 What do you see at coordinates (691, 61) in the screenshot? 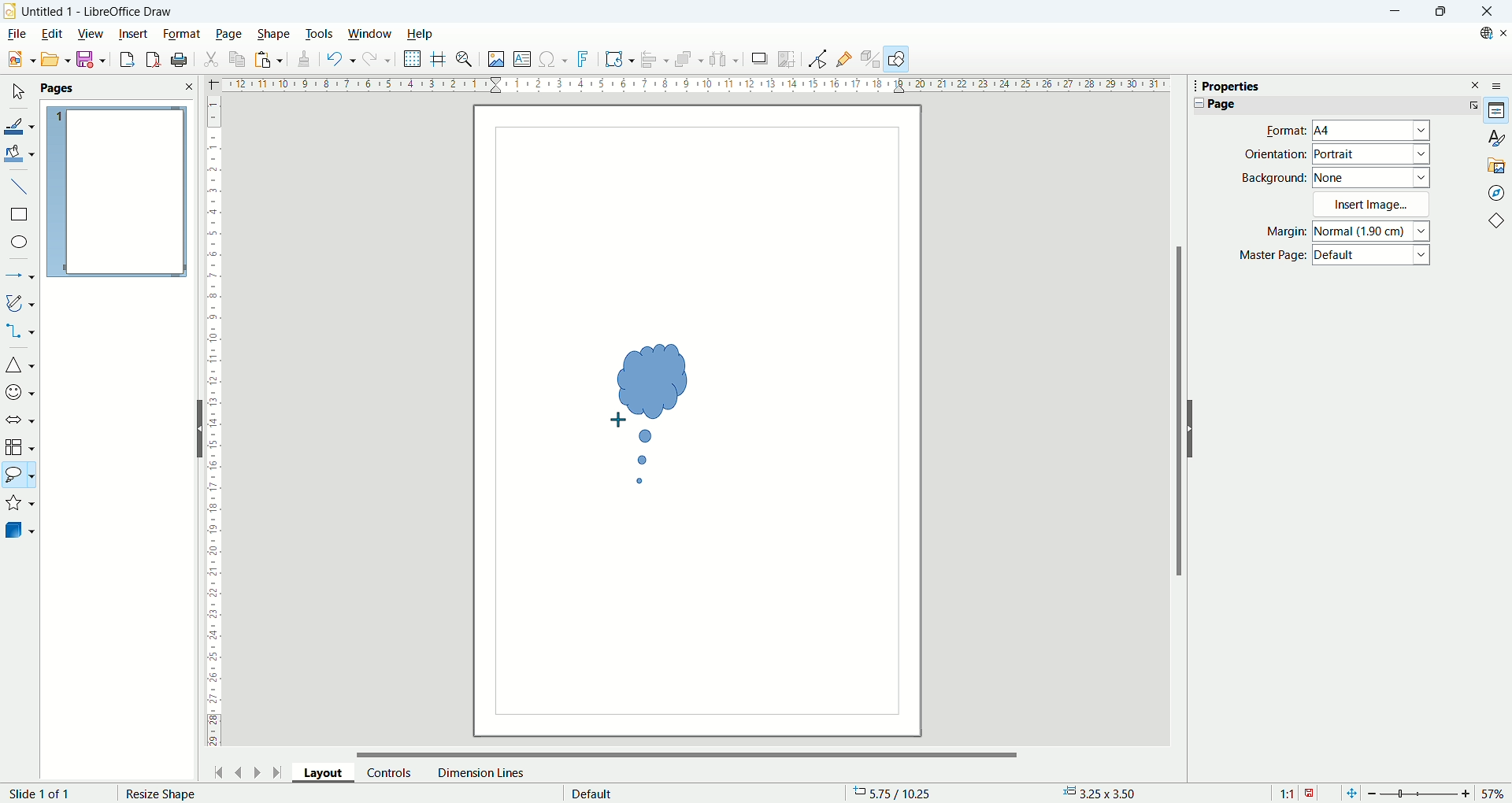
I see `arrange` at bounding box center [691, 61].